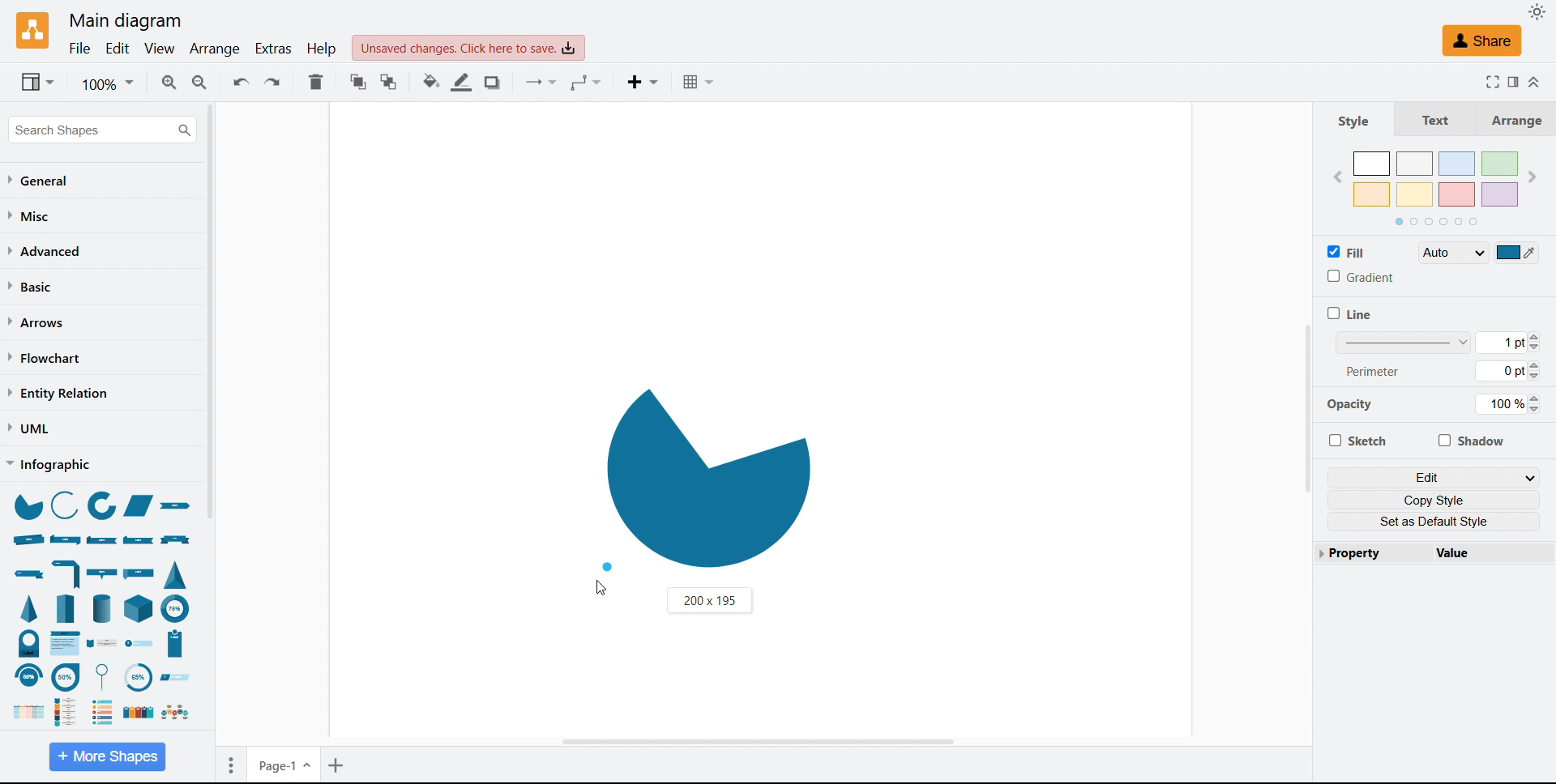 This screenshot has width=1556, height=784. Describe the element at coordinates (139, 506) in the screenshot. I see `trapezoid` at that location.